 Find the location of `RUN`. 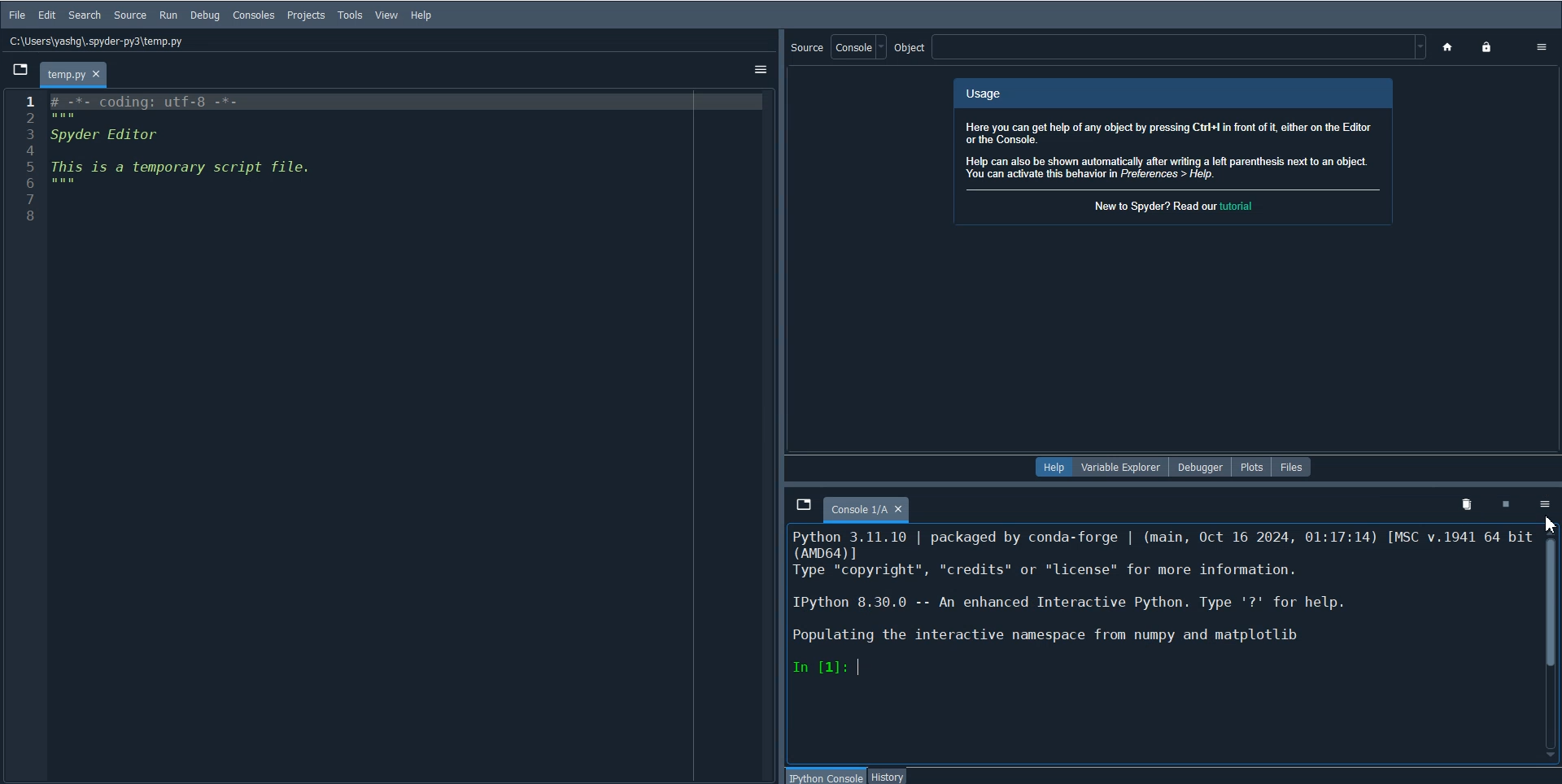

RUN is located at coordinates (168, 15).